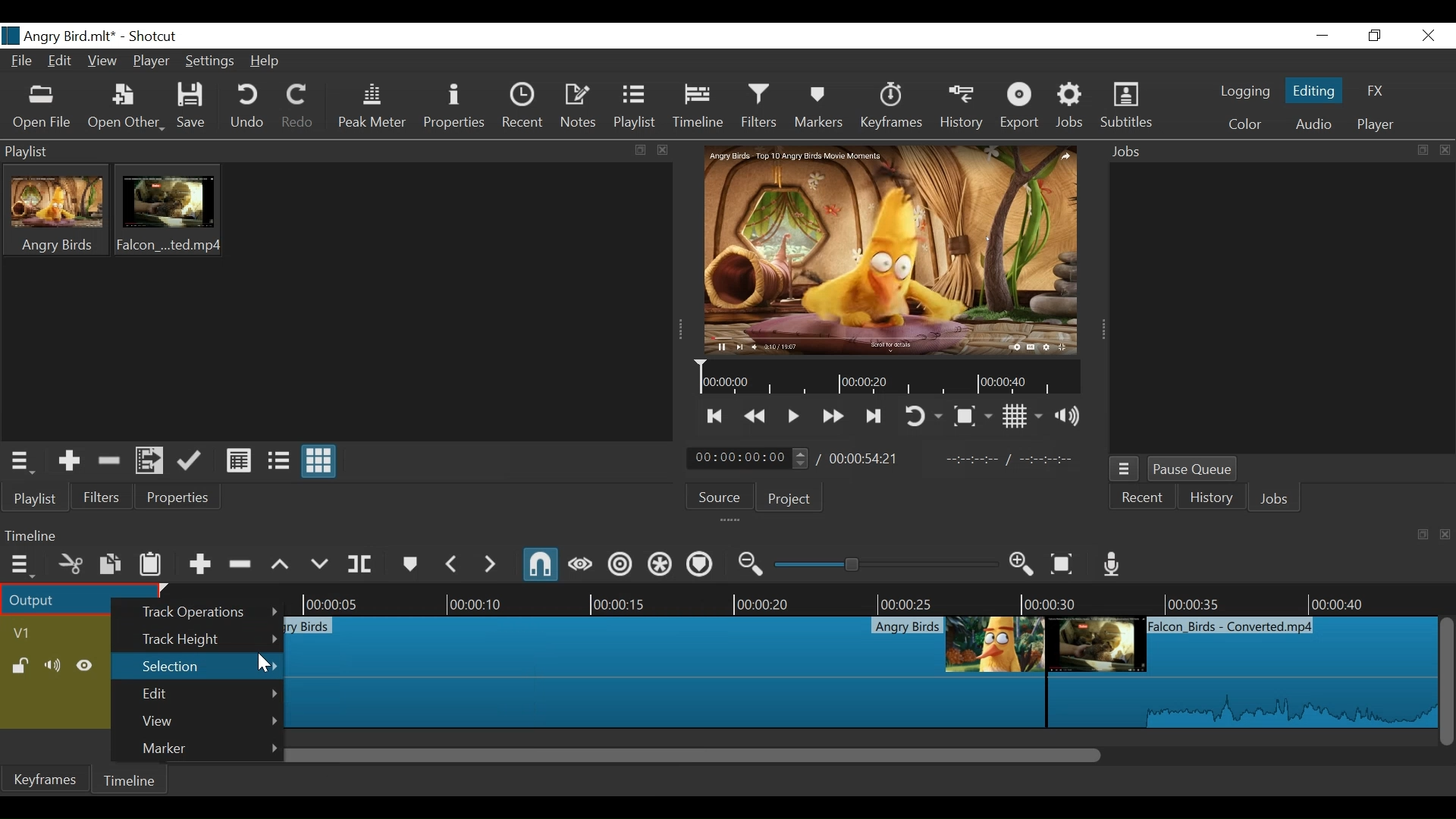  Describe the element at coordinates (1428, 35) in the screenshot. I see `Close` at that location.